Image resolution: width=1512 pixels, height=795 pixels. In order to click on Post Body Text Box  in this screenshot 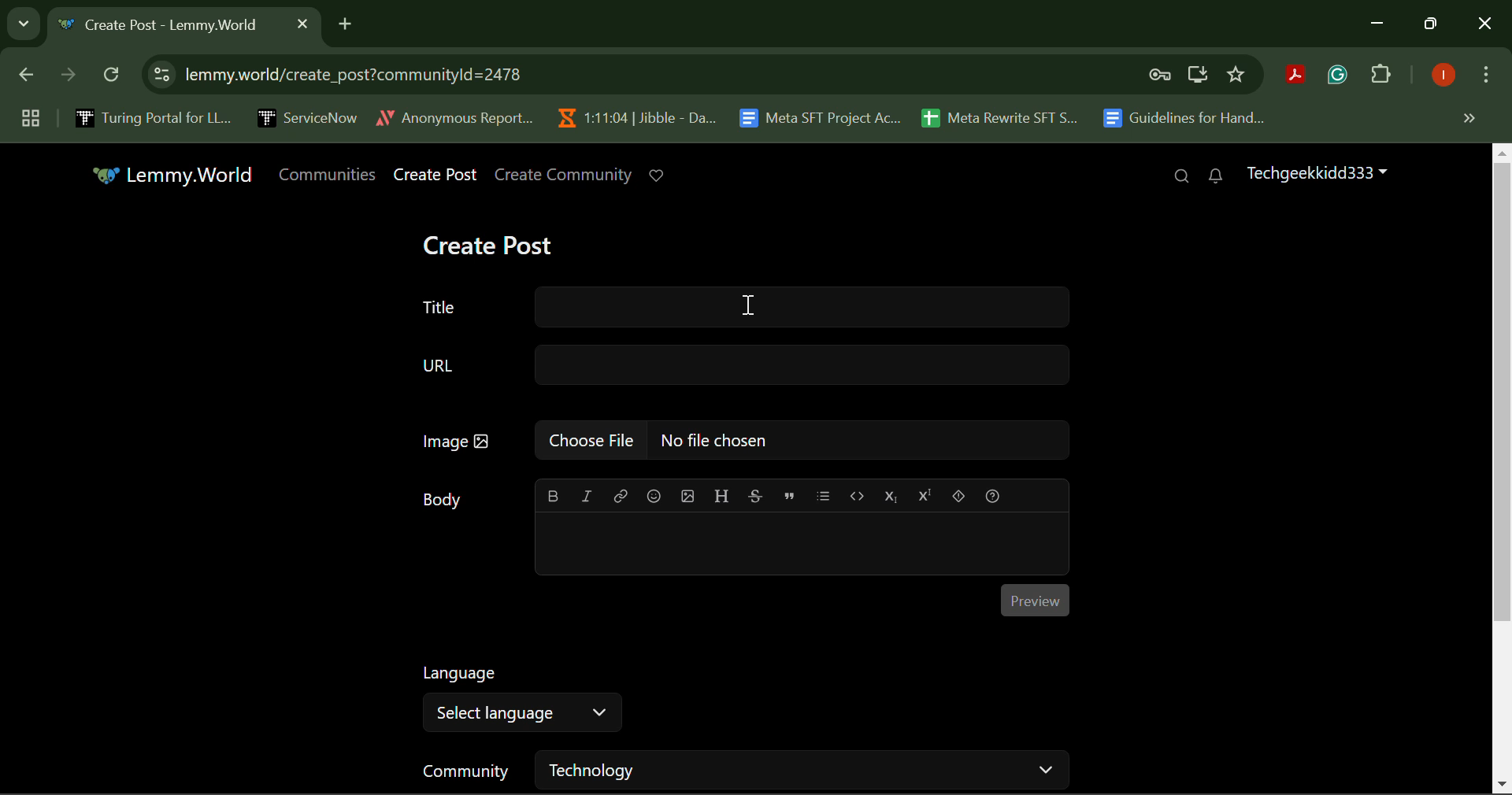, I will do `click(799, 545)`.